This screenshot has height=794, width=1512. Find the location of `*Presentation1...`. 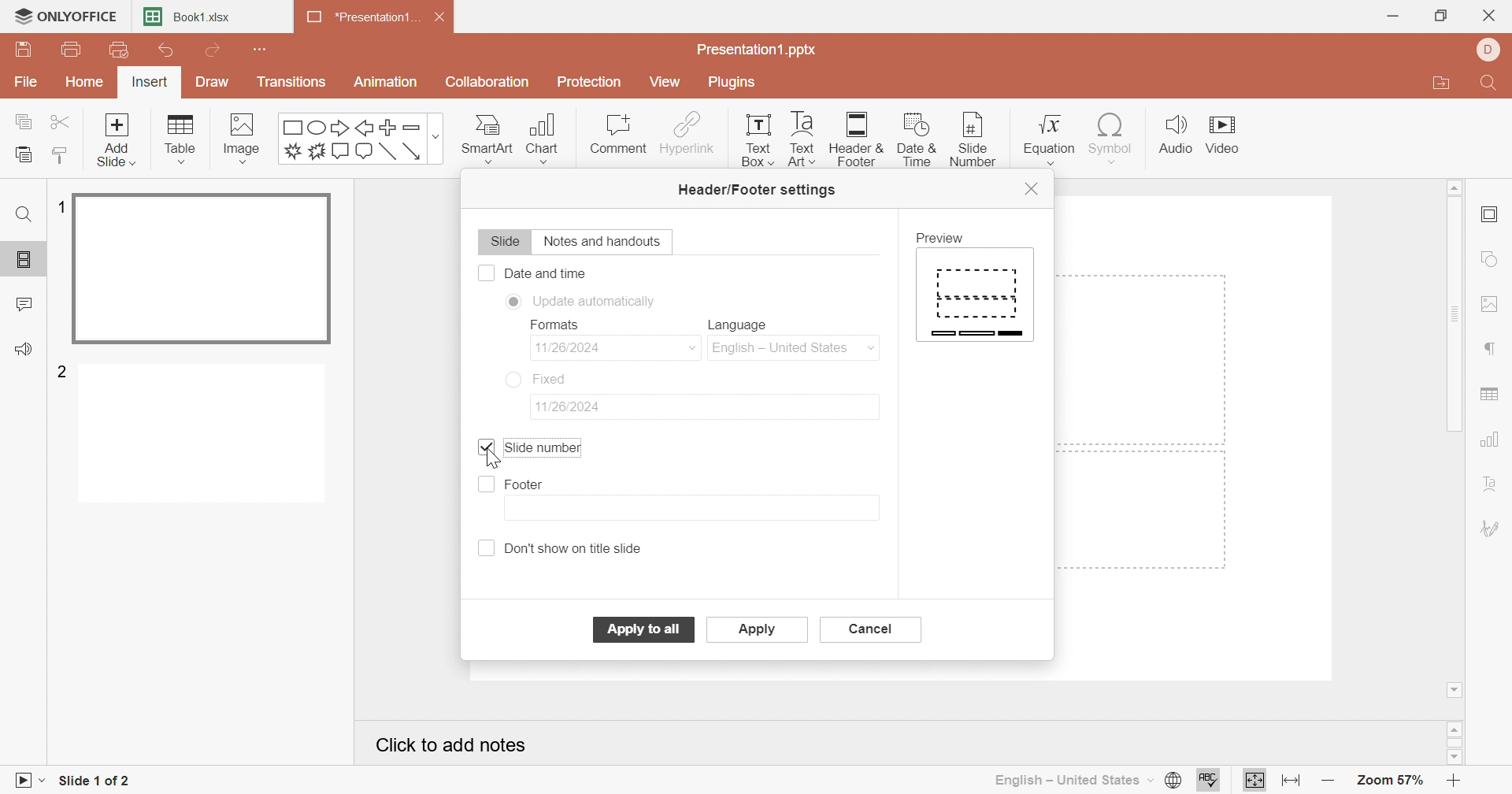

*Presentation1... is located at coordinates (358, 19).